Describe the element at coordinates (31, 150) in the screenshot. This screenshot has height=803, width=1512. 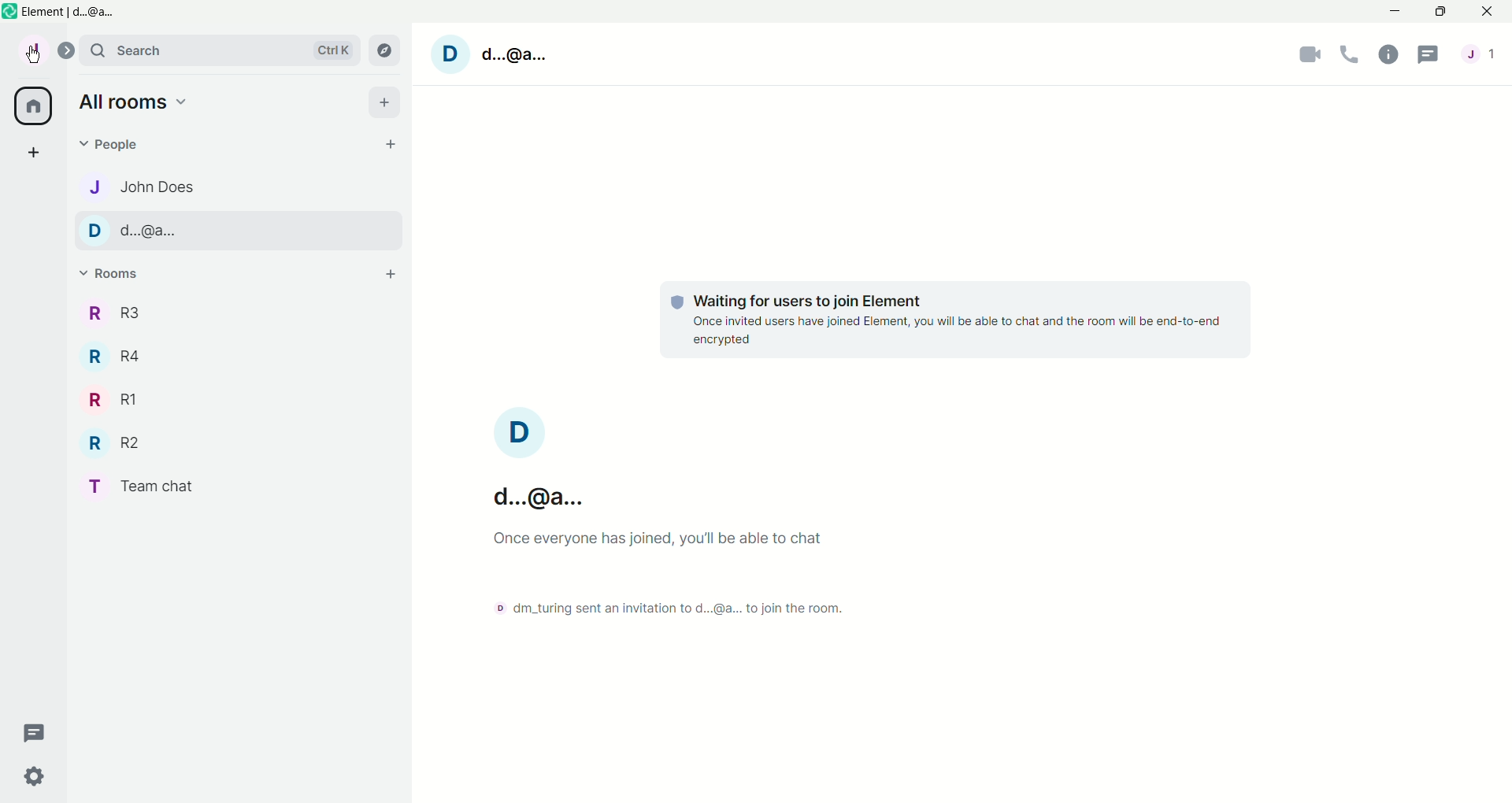
I see `Create a space` at that location.